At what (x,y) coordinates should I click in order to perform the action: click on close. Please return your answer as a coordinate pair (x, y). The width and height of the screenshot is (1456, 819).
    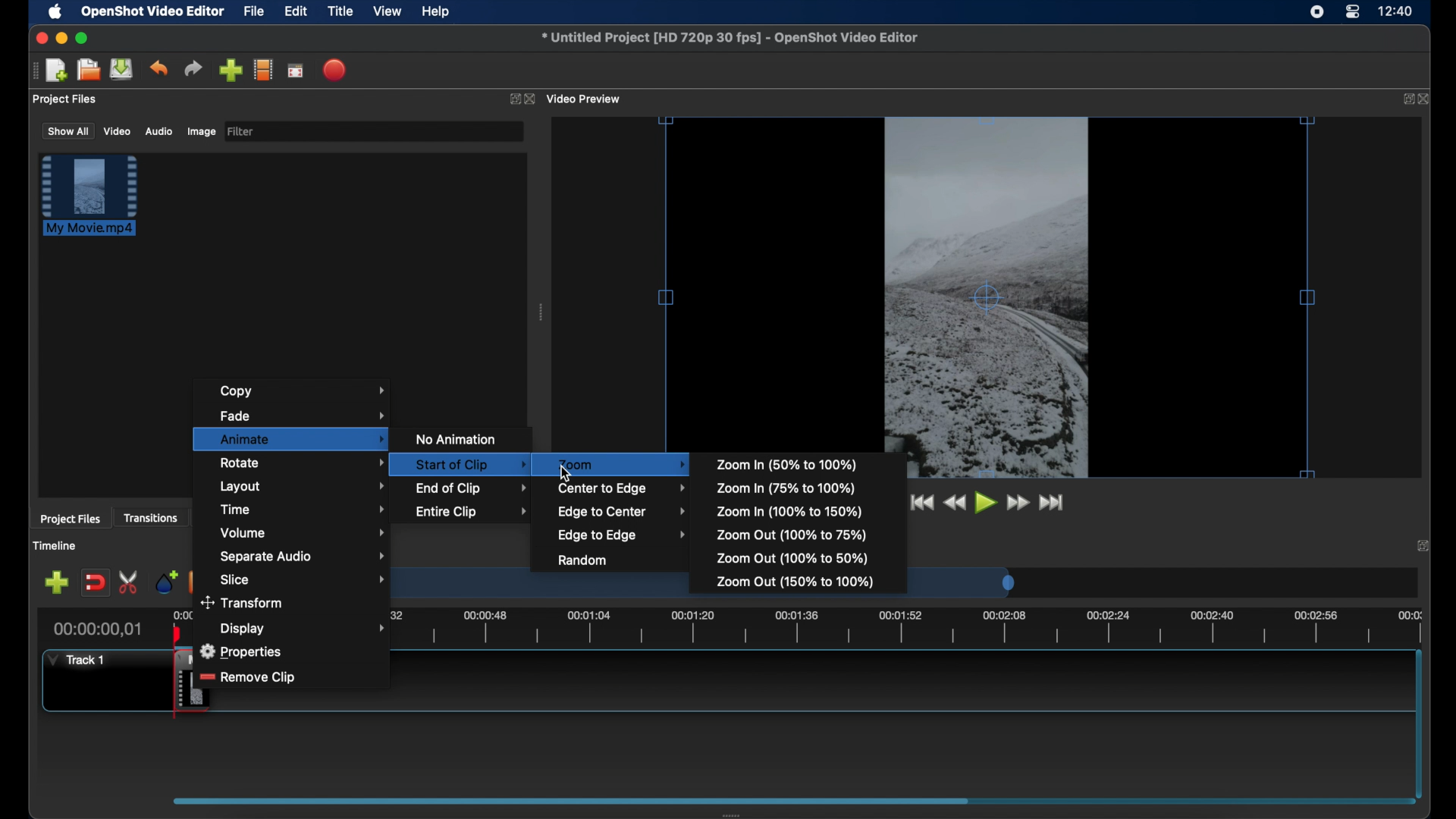
    Looking at the image, I should click on (530, 99).